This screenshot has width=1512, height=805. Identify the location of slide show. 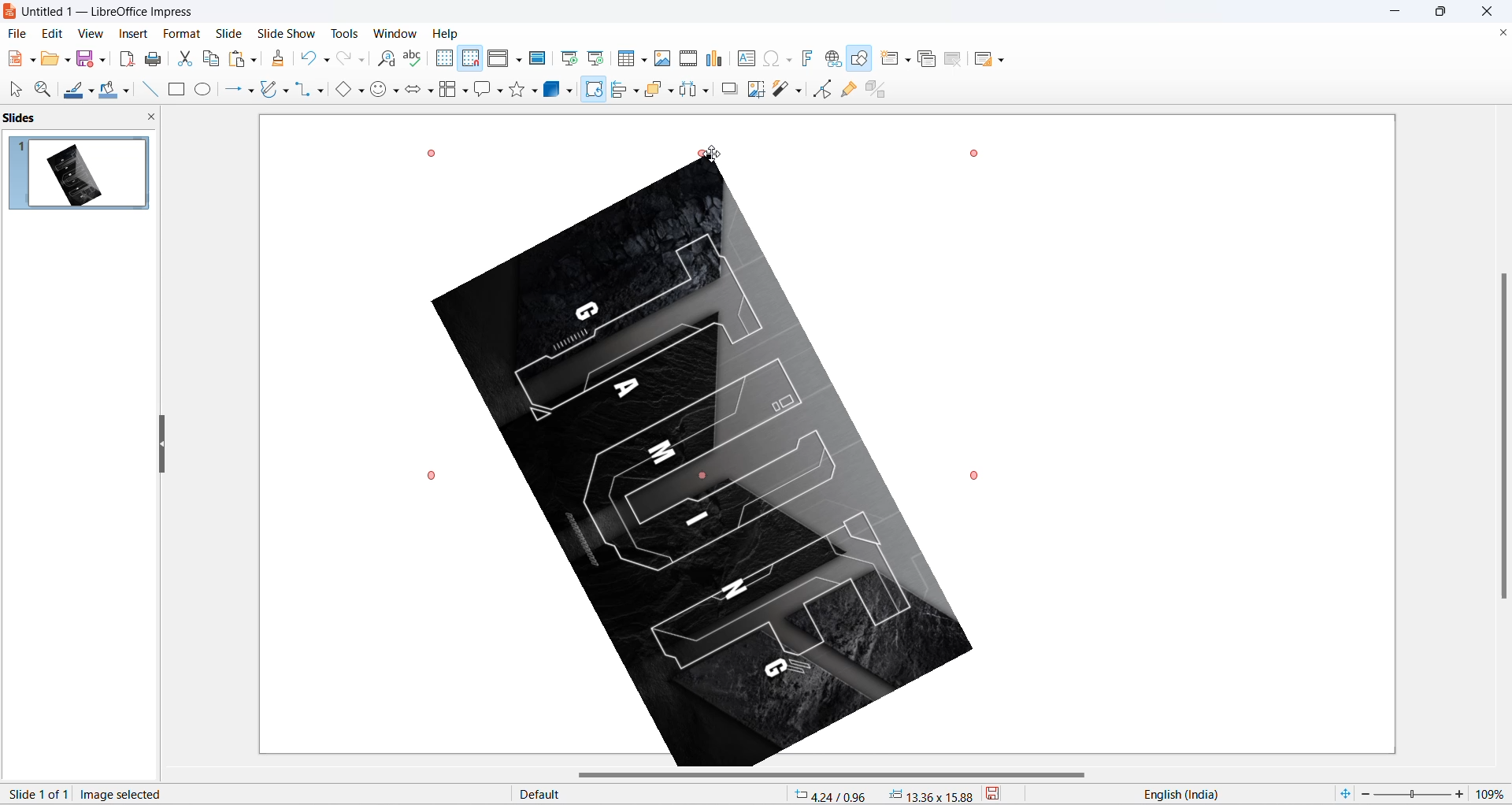
(289, 32).